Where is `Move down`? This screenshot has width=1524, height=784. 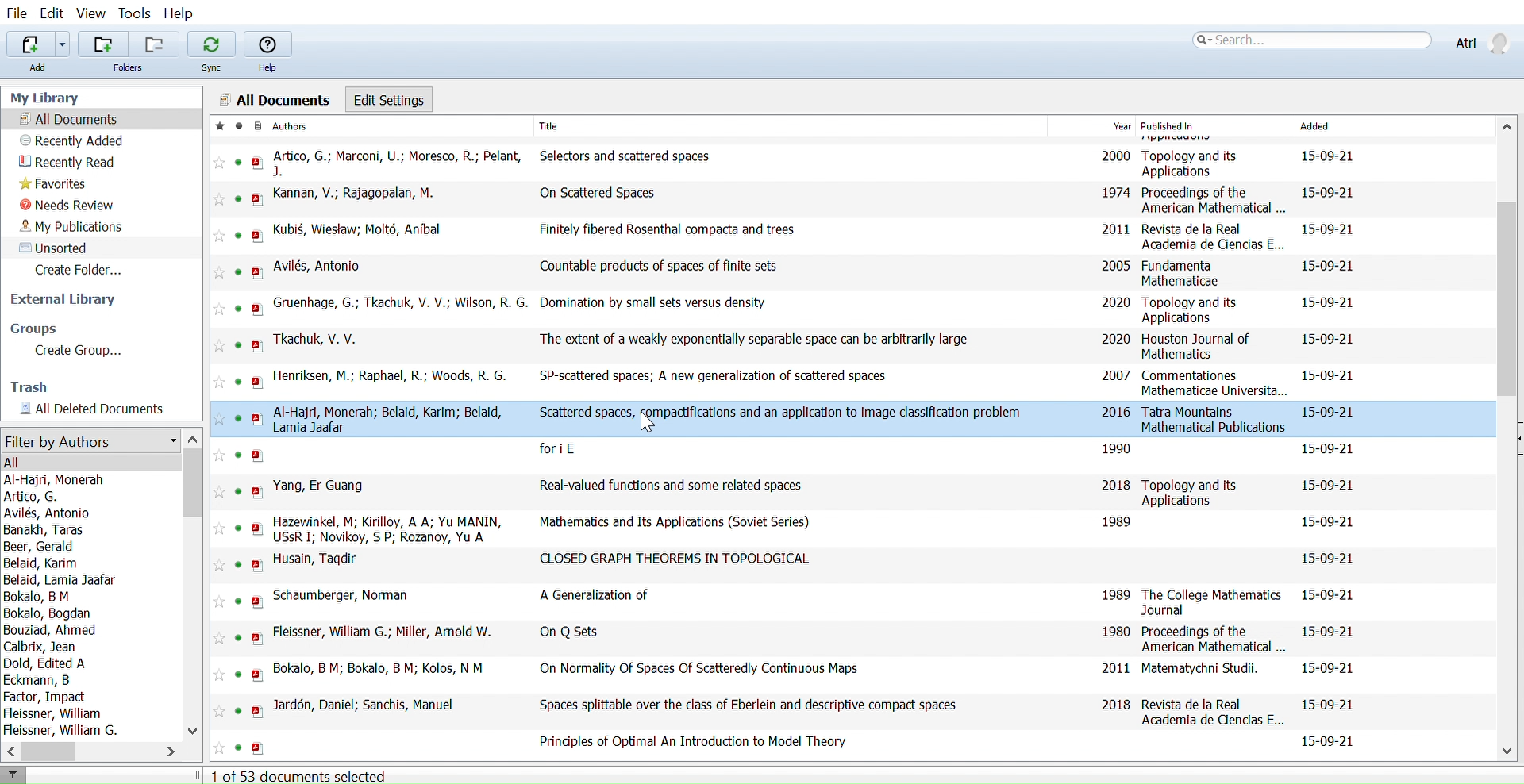
Move down is located at coordinates (195, 728).